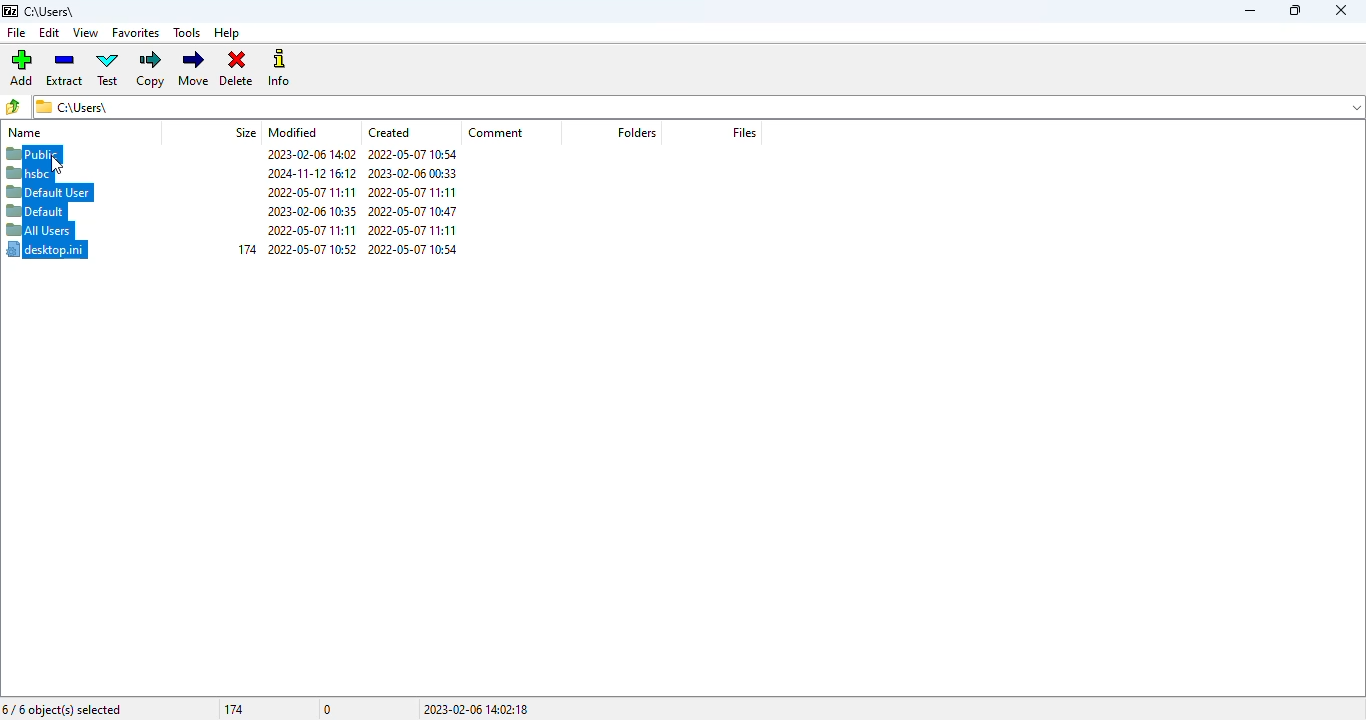 The image size is (1366, 720). What do you see at coordinates (417, 210) in the screenshot?
I see `2022-05-07 10:47` at bounding box center [417, 210].